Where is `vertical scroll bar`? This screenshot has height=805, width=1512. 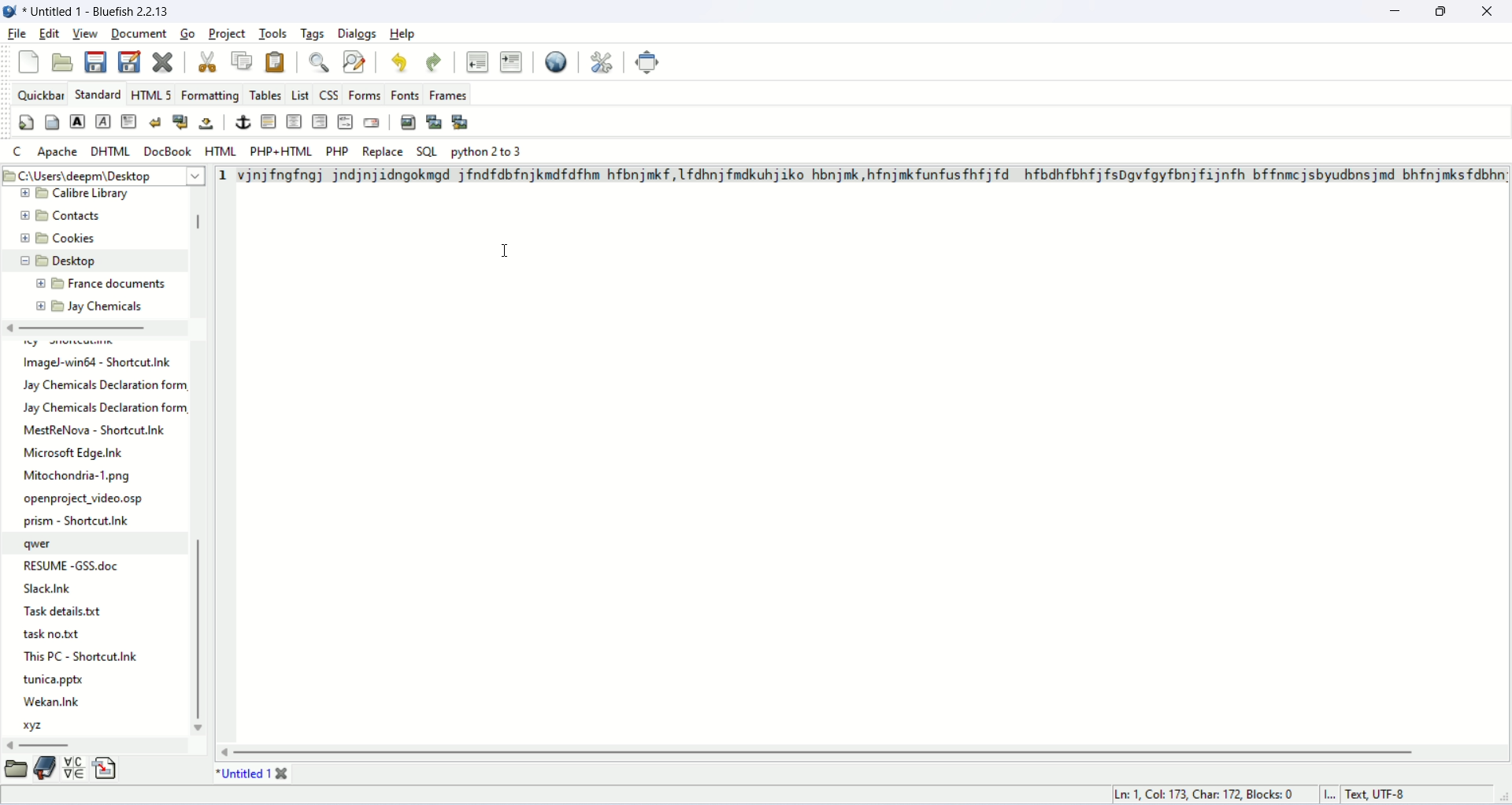
vertical scroll bar is located at coordinates (201, 634).